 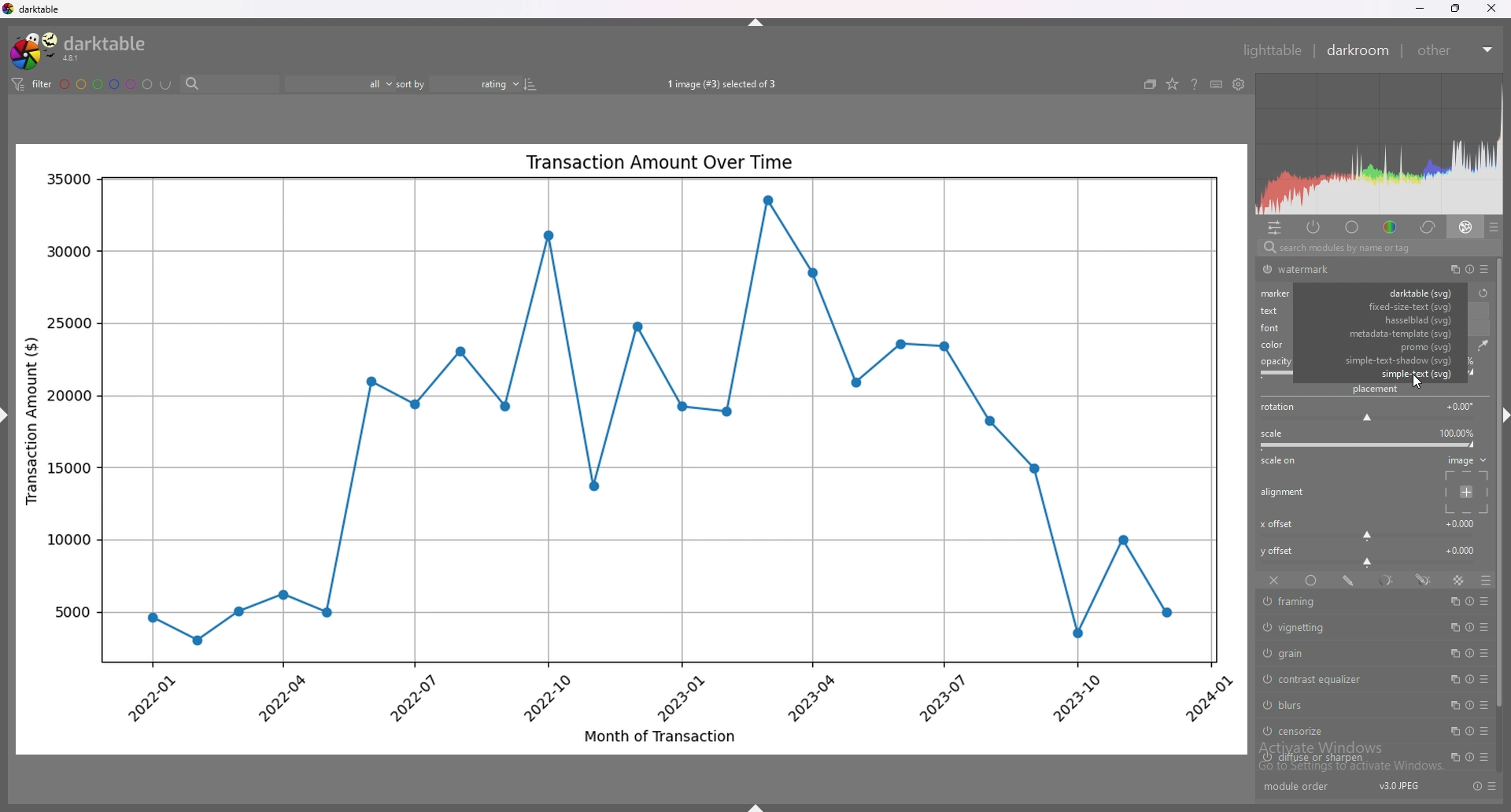 What do you see at coordinates (9, 415) in the screenshot?
I see `hide` at bounding box center [9, 415].